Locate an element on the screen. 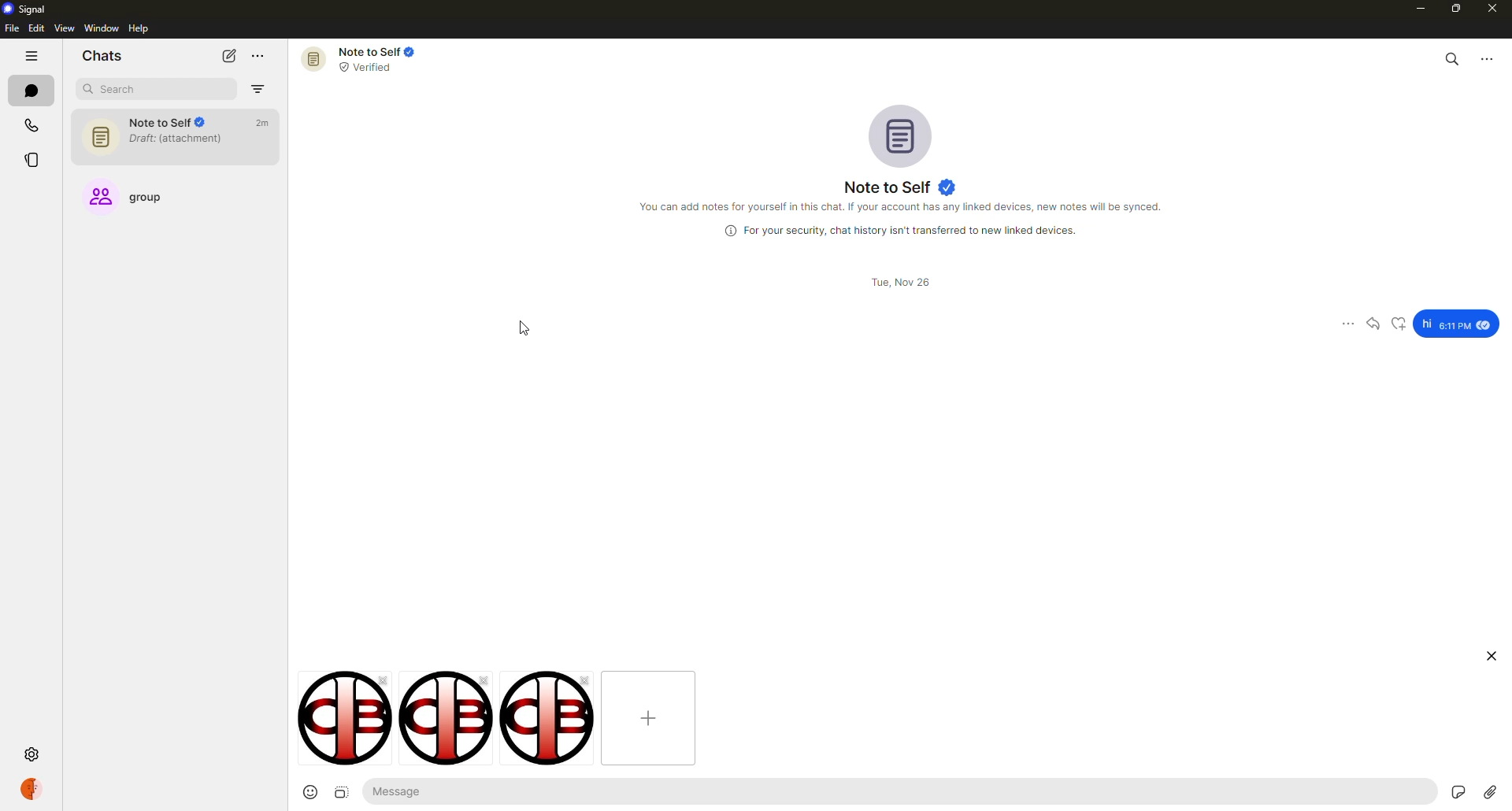 The image size is (1512, 811). cursor is located at coordinates (527, 330).